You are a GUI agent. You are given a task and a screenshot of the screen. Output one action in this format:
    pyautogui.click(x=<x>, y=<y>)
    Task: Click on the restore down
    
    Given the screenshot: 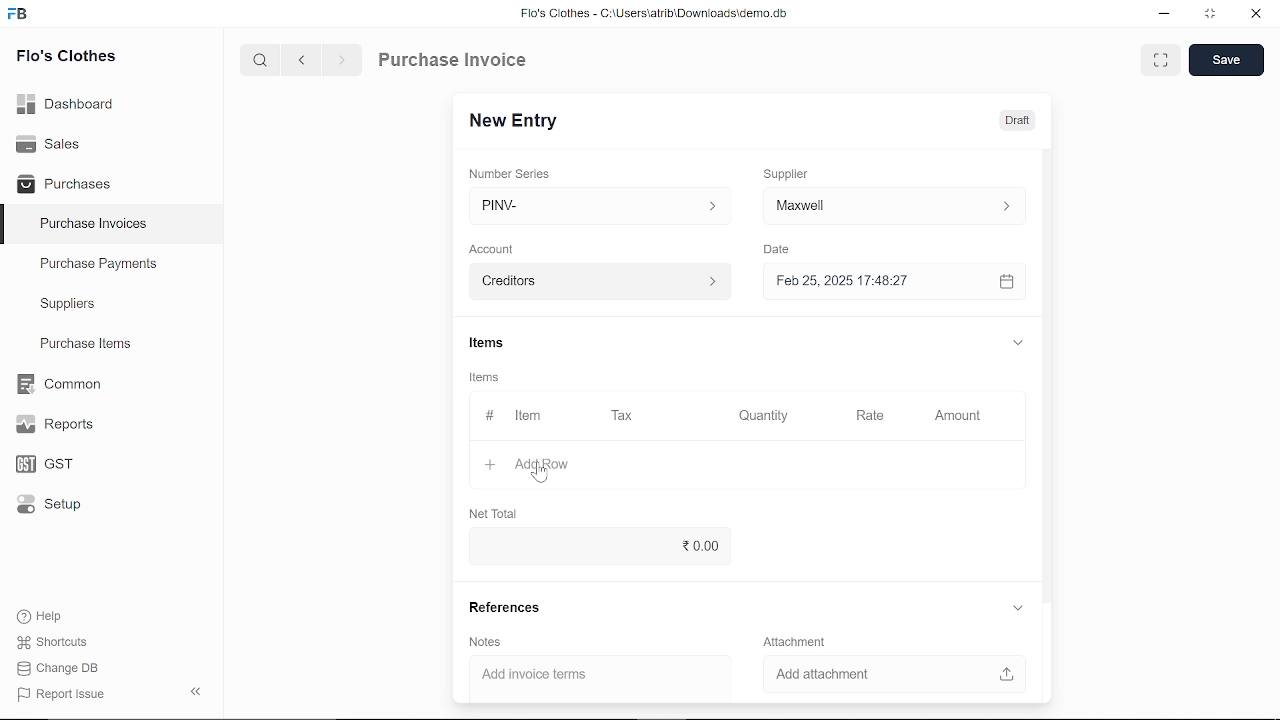 What is the action you would take?
    pyautogui.click(x=1214, y=15)
    